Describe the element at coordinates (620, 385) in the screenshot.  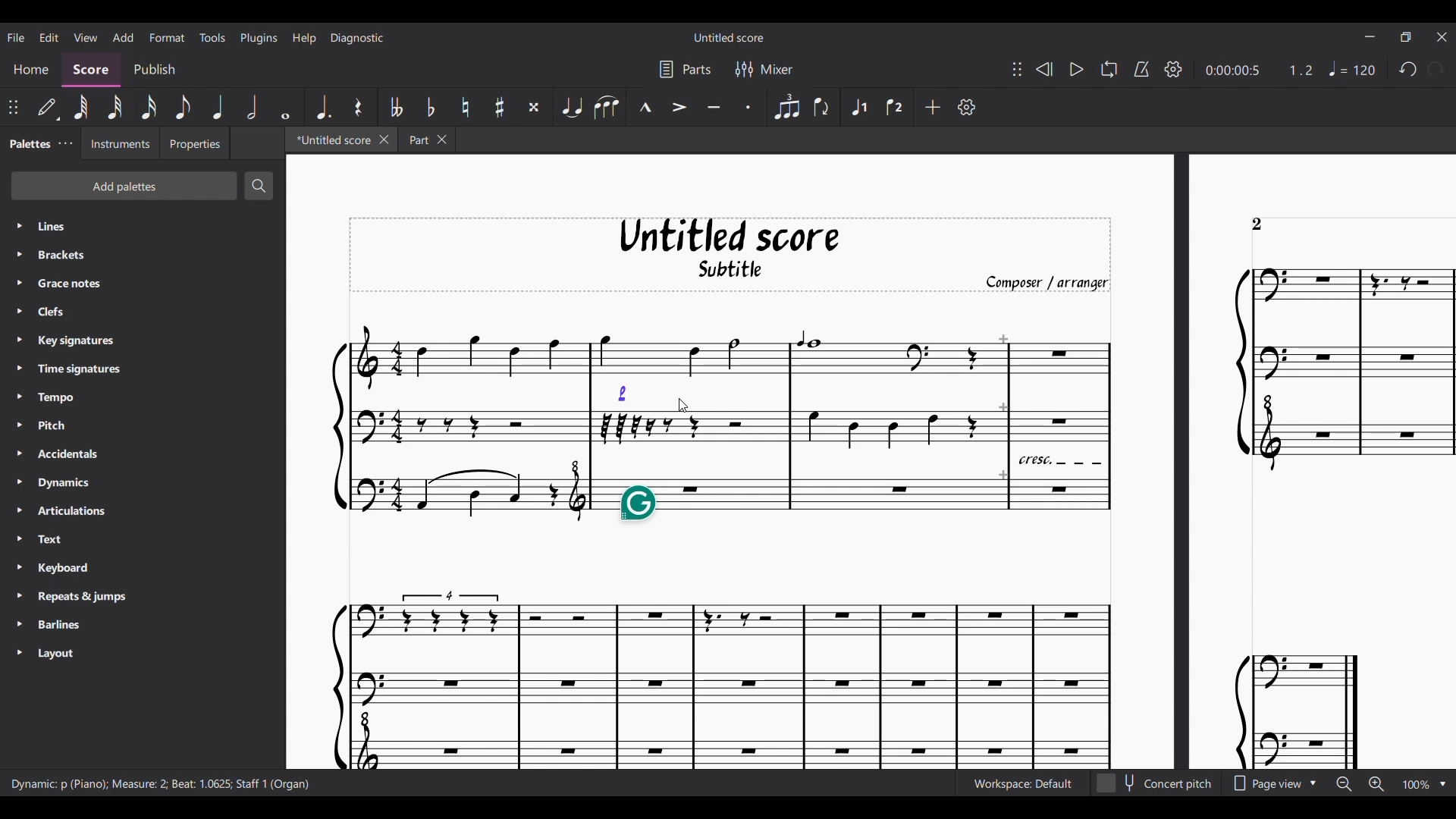
I see `Indicates note the dynamic marking is going to get attached to` at that location.